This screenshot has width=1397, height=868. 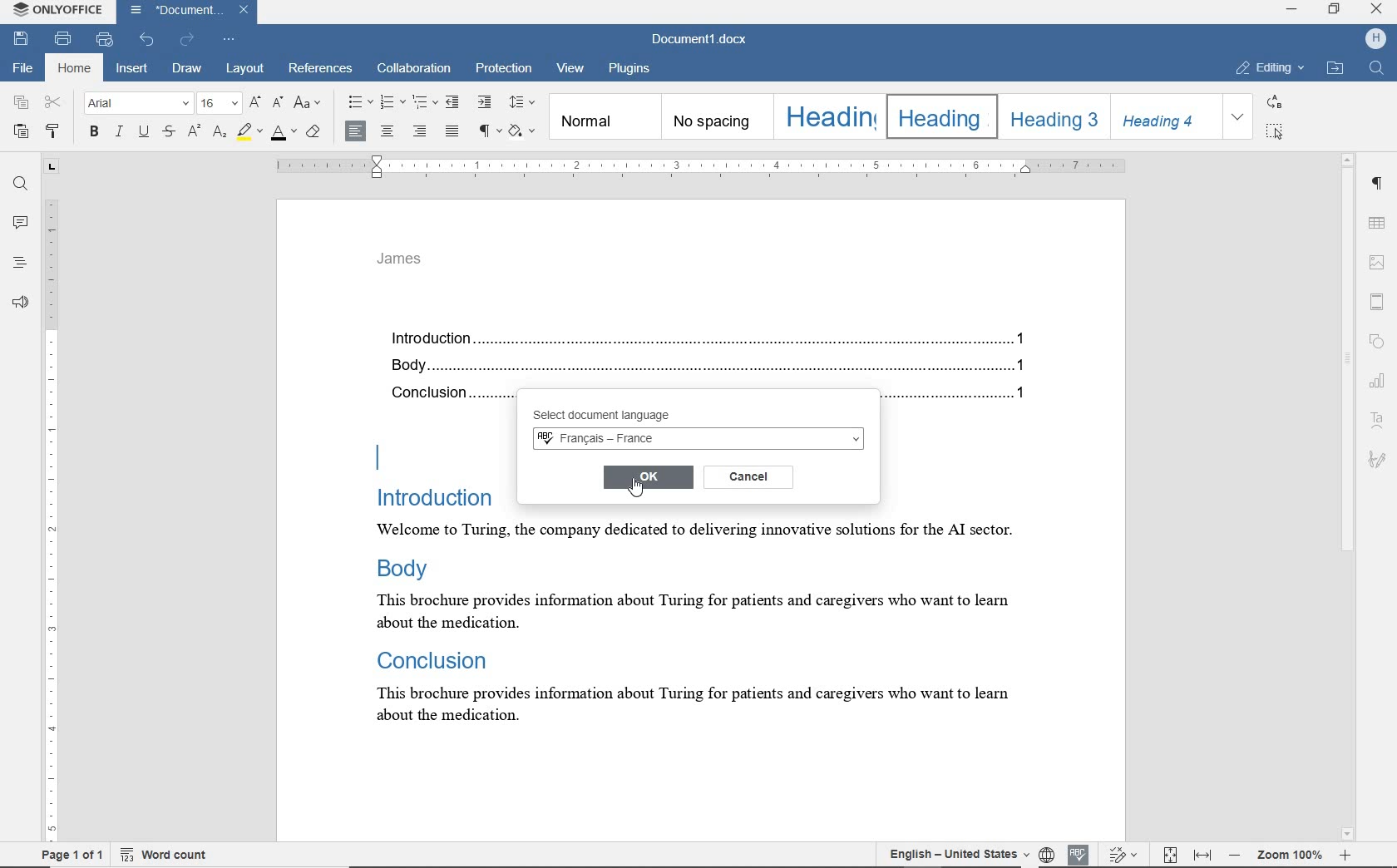 What do you see at coordinates (359, 102) in the screenshot?
I see `bullets` at bounding box center [359, 102].